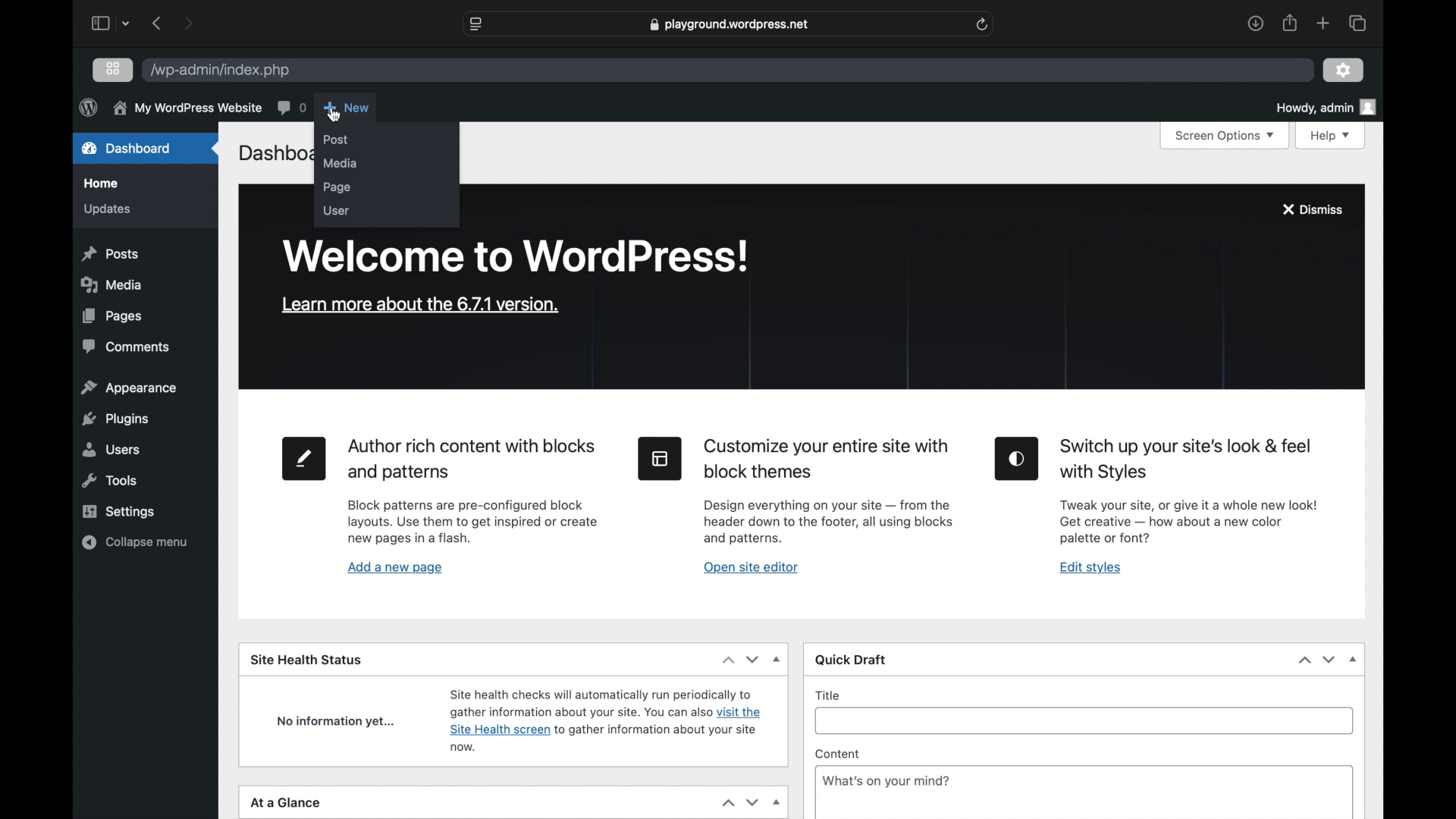 The width and height of the screenshot is (1456, 819). Describe the element at coordinates (837, 754) in the screenshot. I see `content` at that location.